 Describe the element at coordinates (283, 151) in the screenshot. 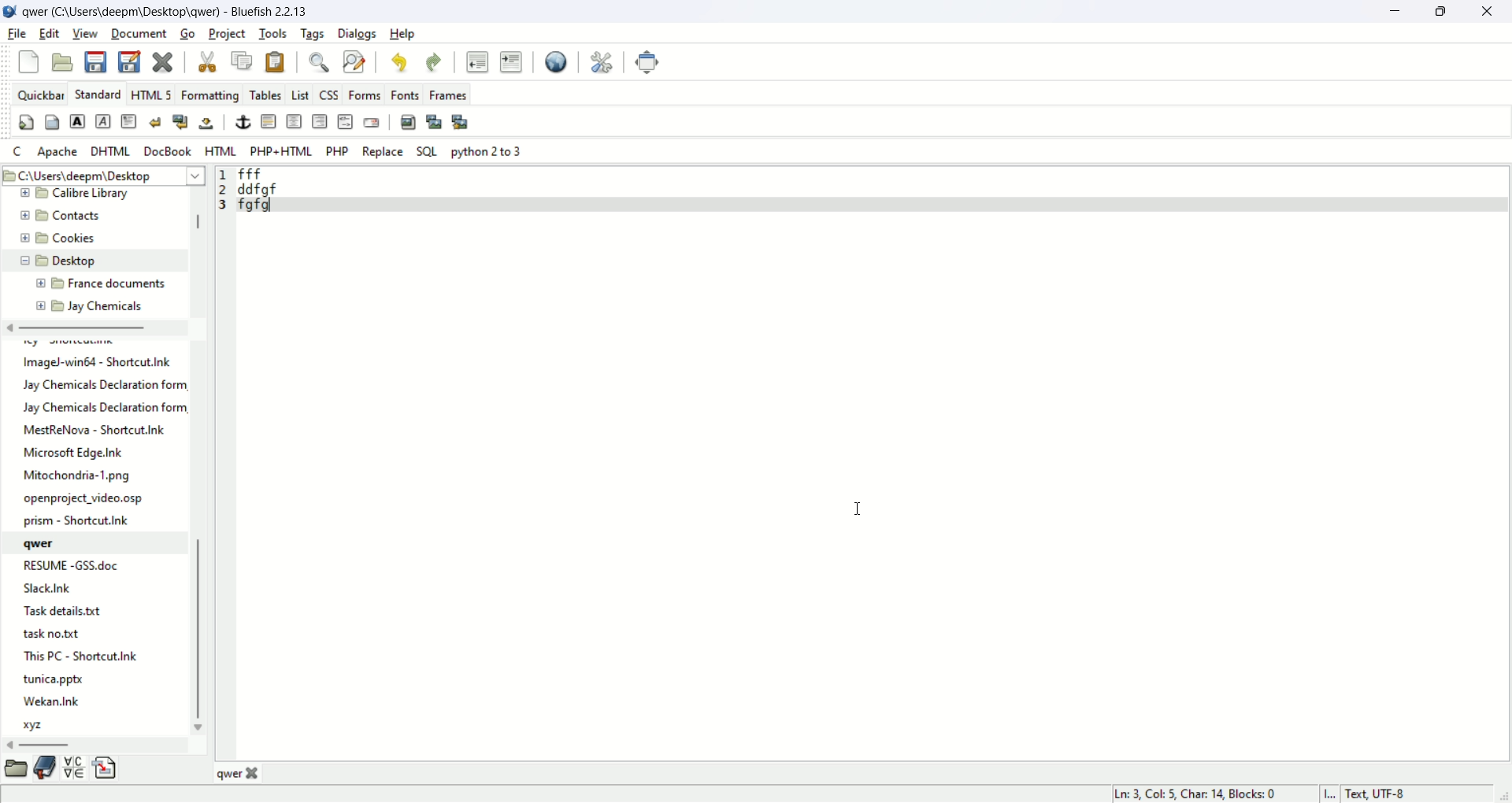

I see `PHP+HTML` at that location.